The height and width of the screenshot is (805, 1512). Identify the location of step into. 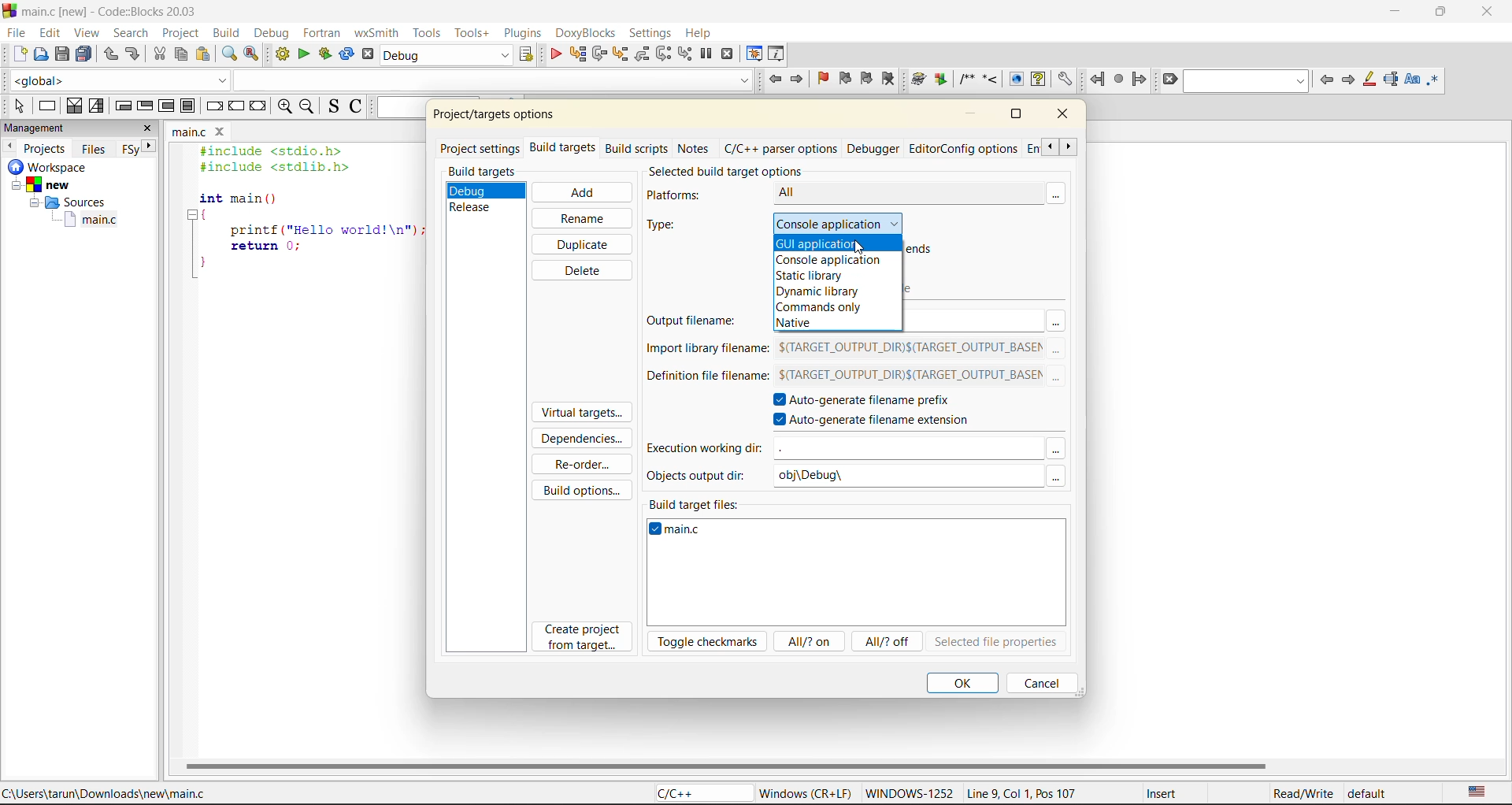
(621, 54).